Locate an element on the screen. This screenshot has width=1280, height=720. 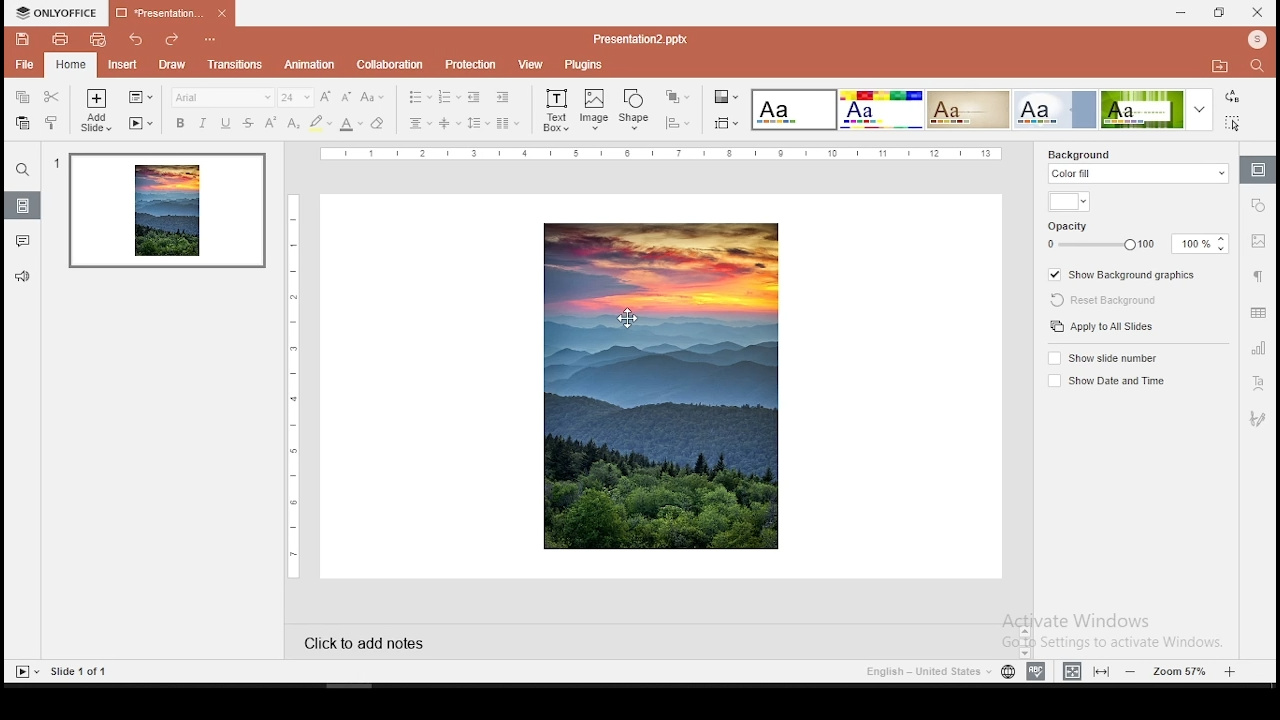
chart settings is located at coordinates (1257, 352).